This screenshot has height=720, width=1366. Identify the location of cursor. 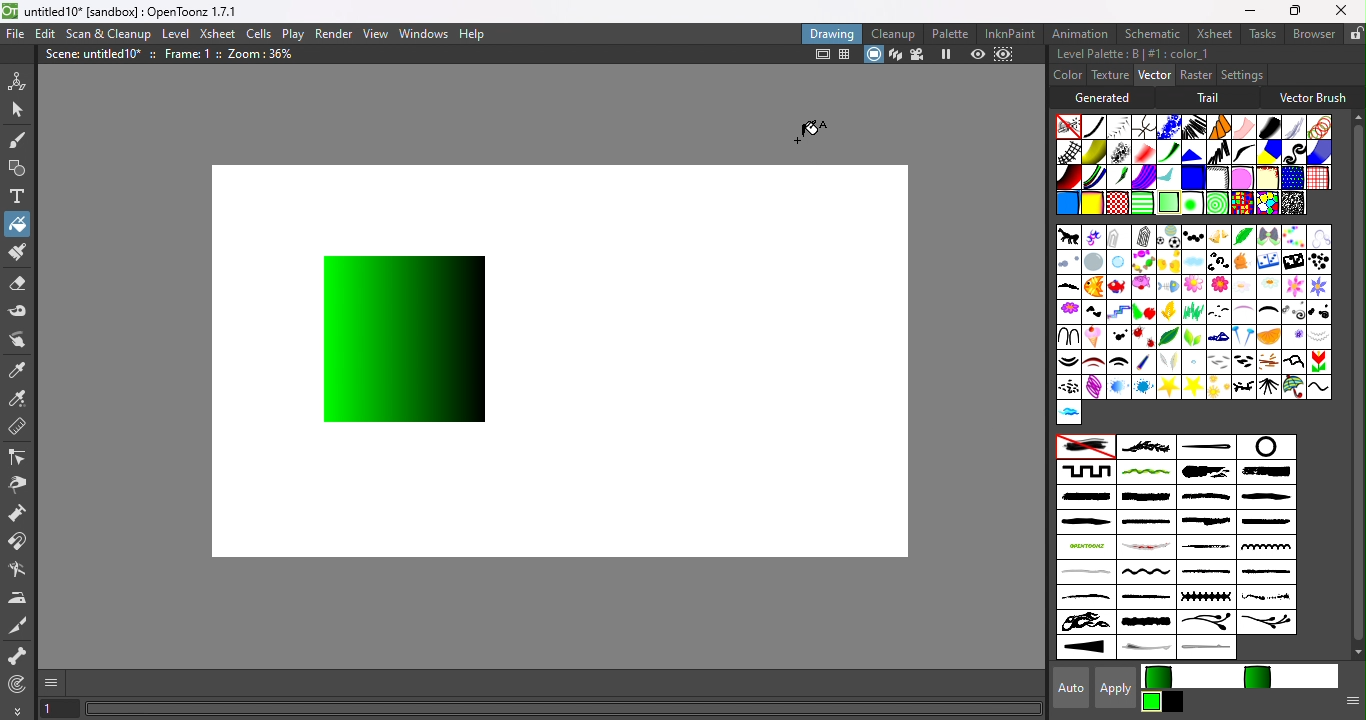
(815, 124).